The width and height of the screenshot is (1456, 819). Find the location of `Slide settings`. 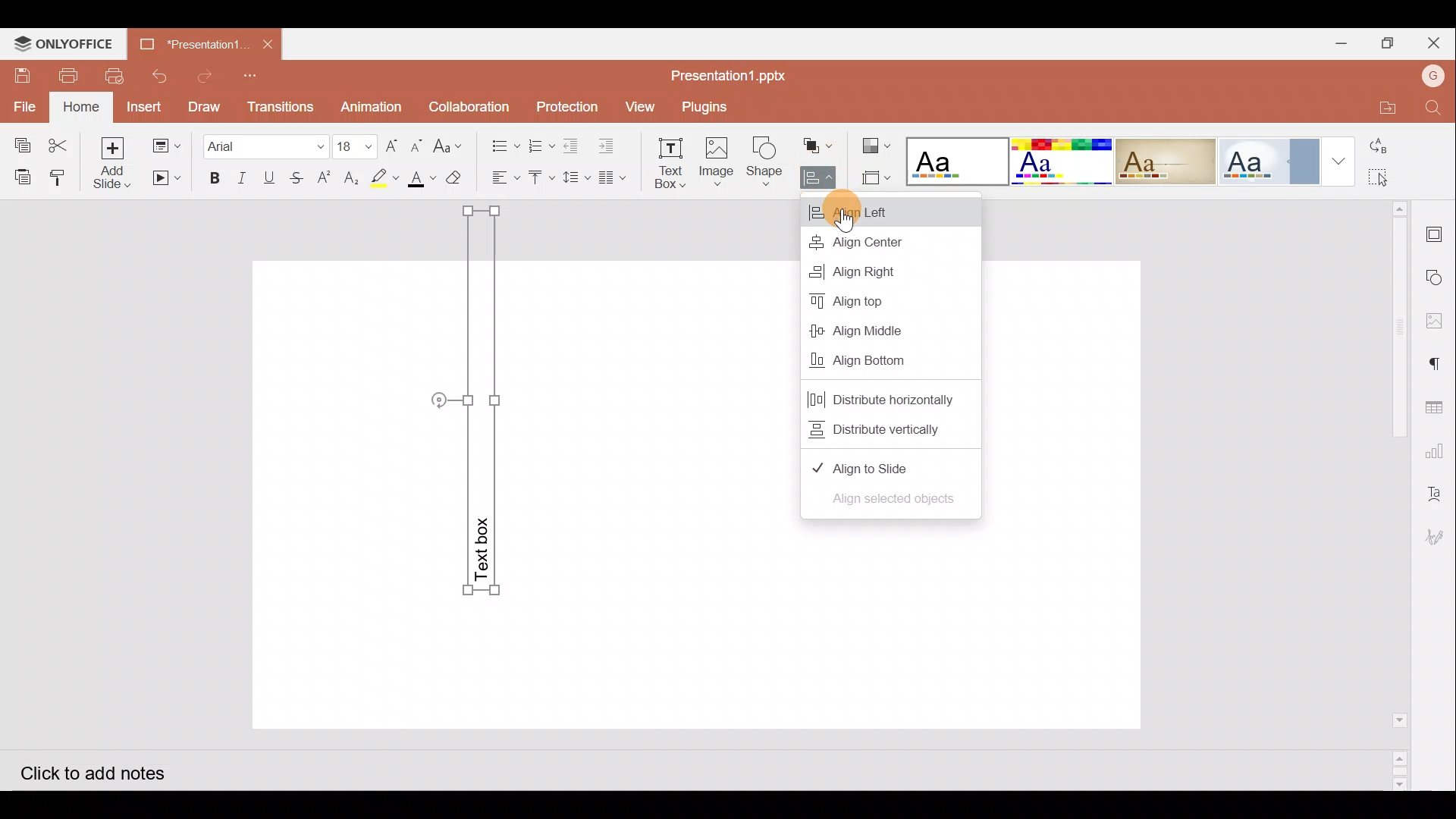

Slide settings is located at coordinates (1439, 232).